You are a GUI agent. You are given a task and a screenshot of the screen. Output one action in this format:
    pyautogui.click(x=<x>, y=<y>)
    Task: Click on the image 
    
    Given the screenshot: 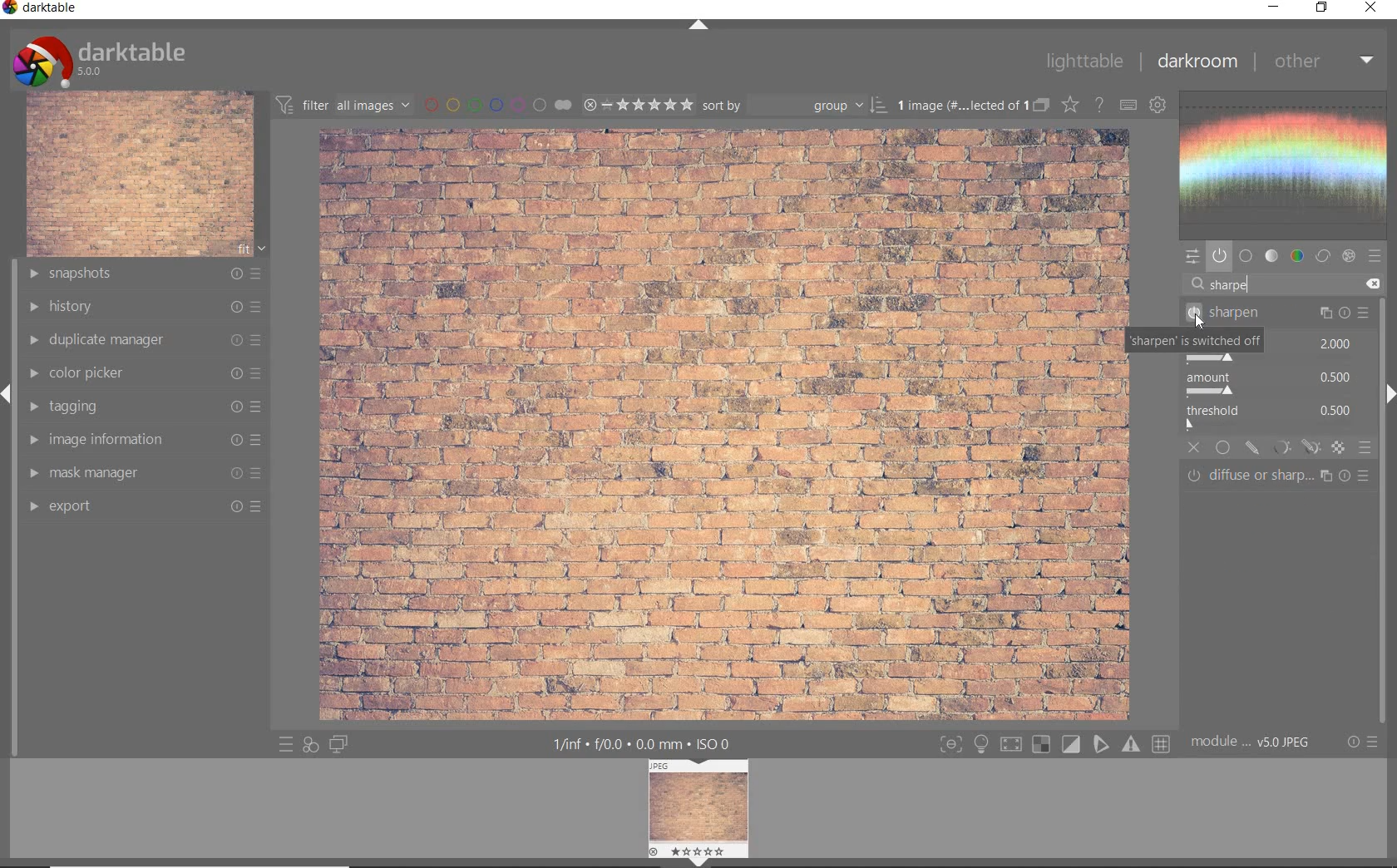 What is the action you would take?
    pyautogui.click(x=140, y=175)
    